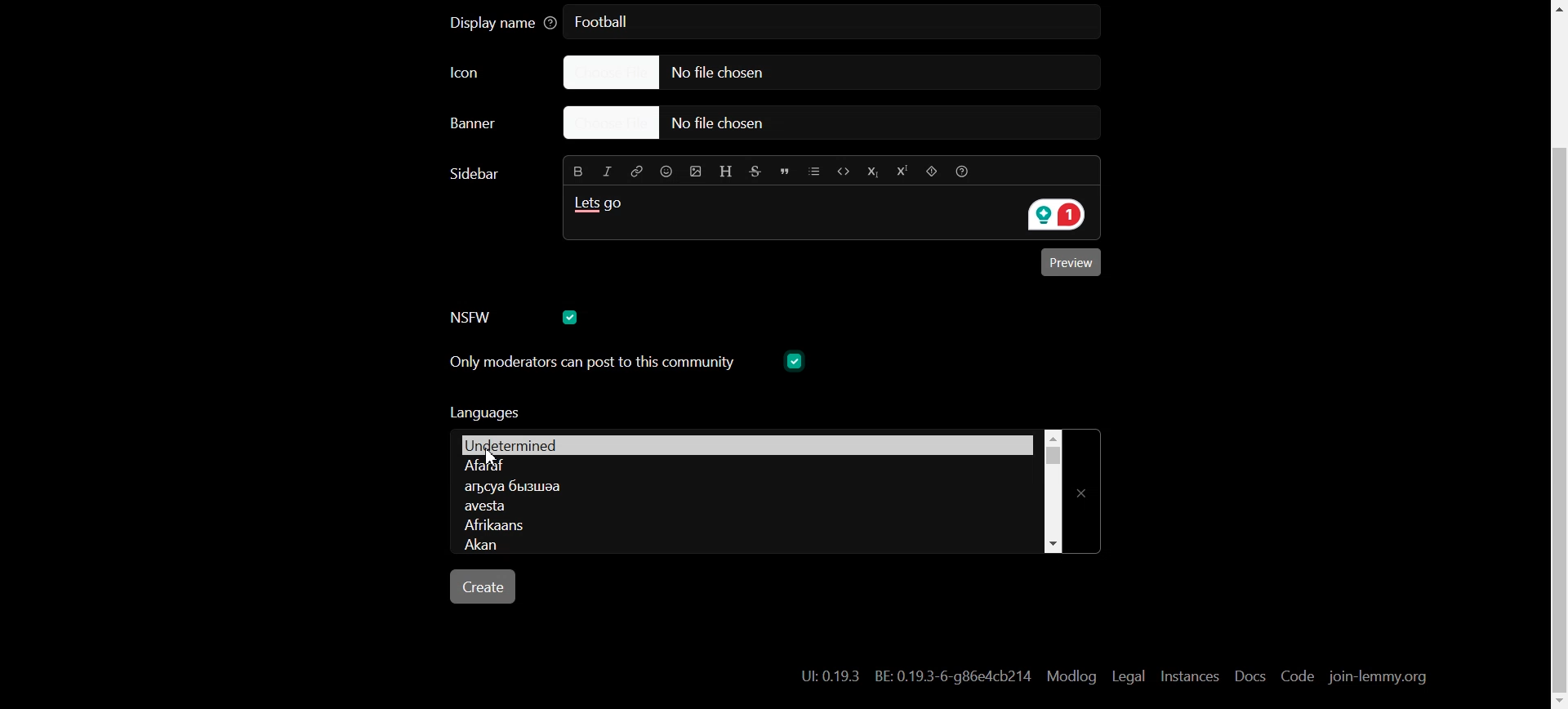  What do you see at coordinates (815, 170) in the screenshot?
I see `List` at bounding box center [815, 170].